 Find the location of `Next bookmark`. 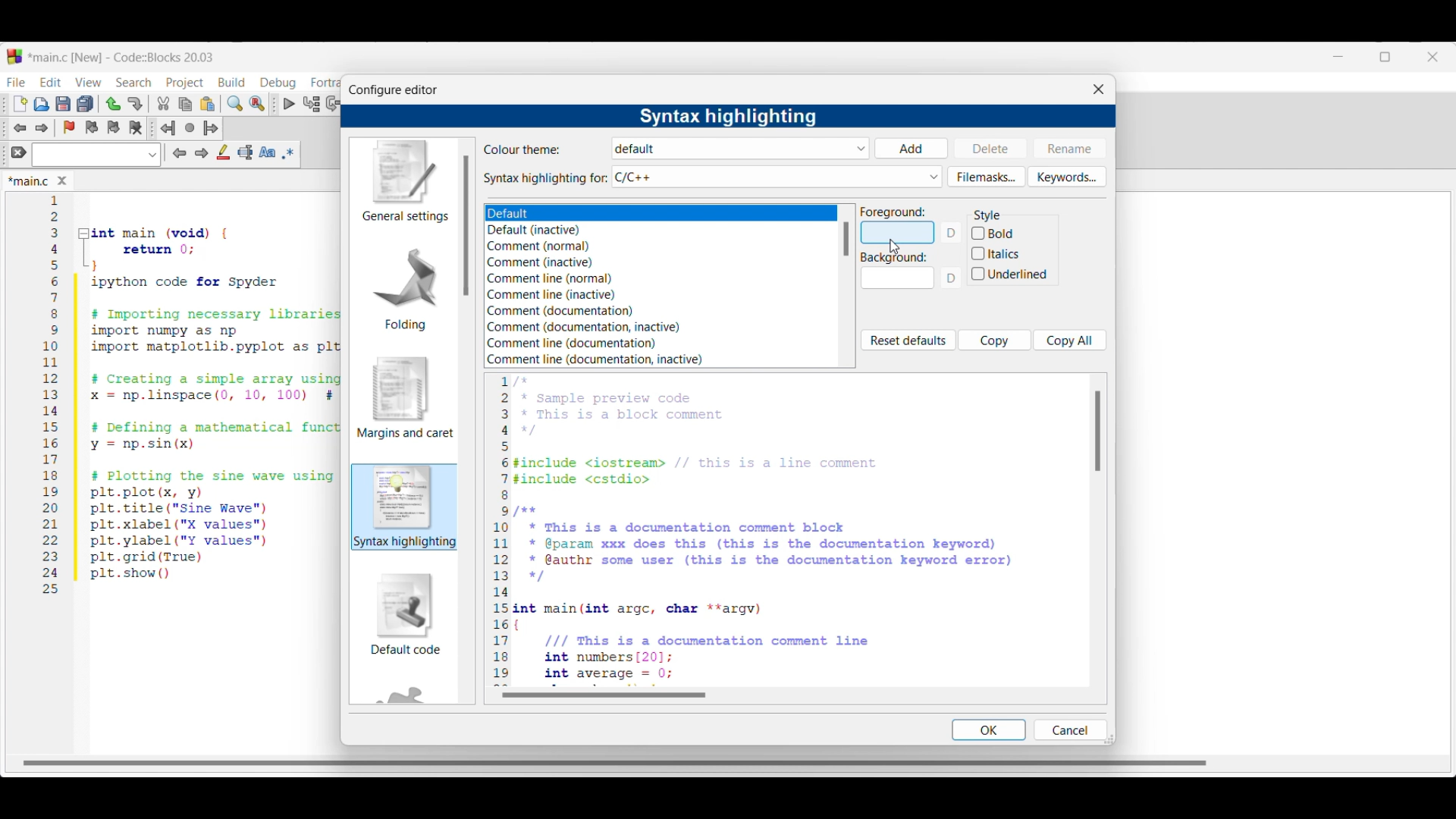

Next bookmark is located at coordinates (113, 127).